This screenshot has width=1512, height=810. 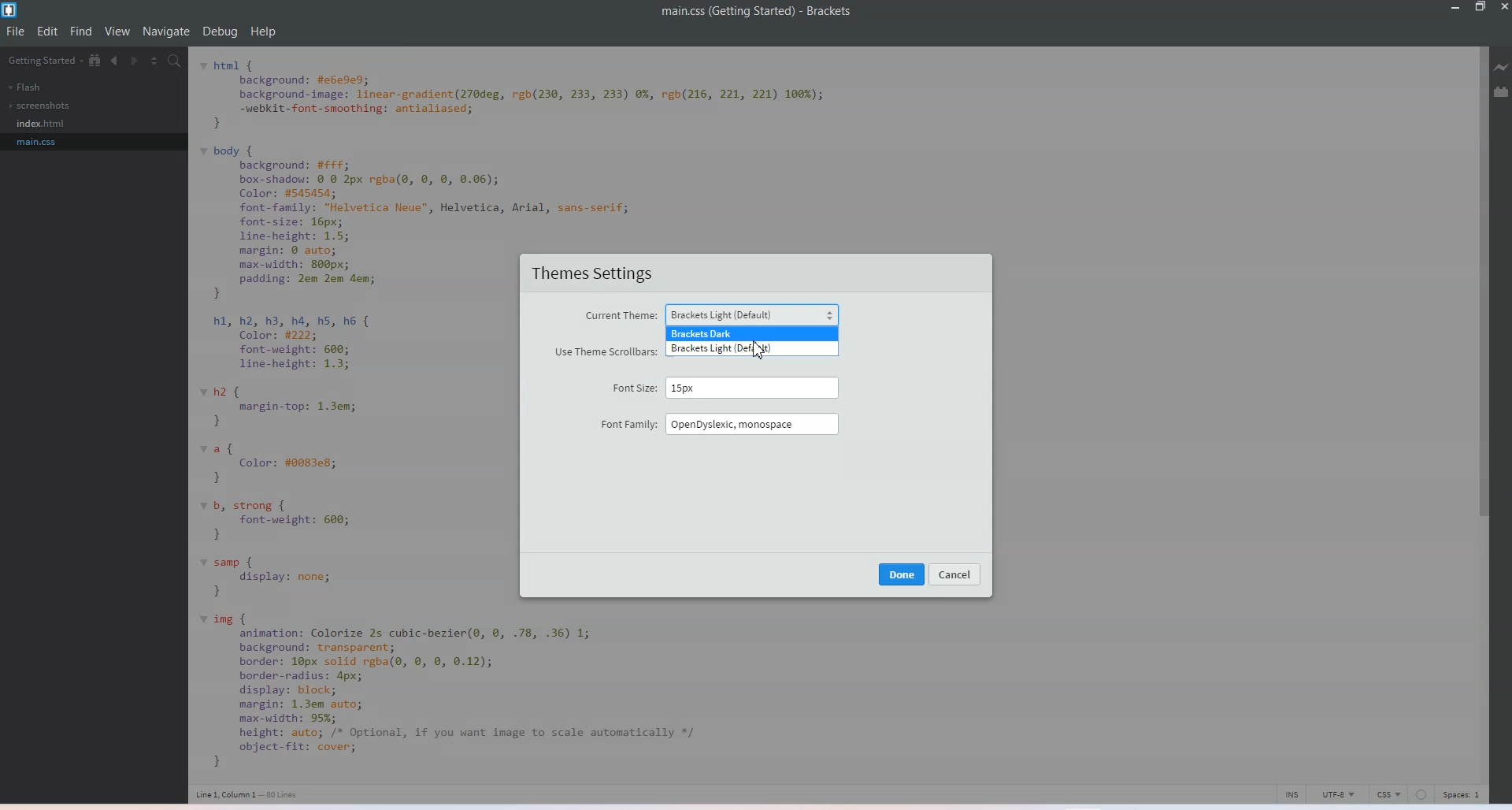 What do you see at coordinates (44, 122) in the screenshot?
I see `Index.css` at bounding box center [44, 122].